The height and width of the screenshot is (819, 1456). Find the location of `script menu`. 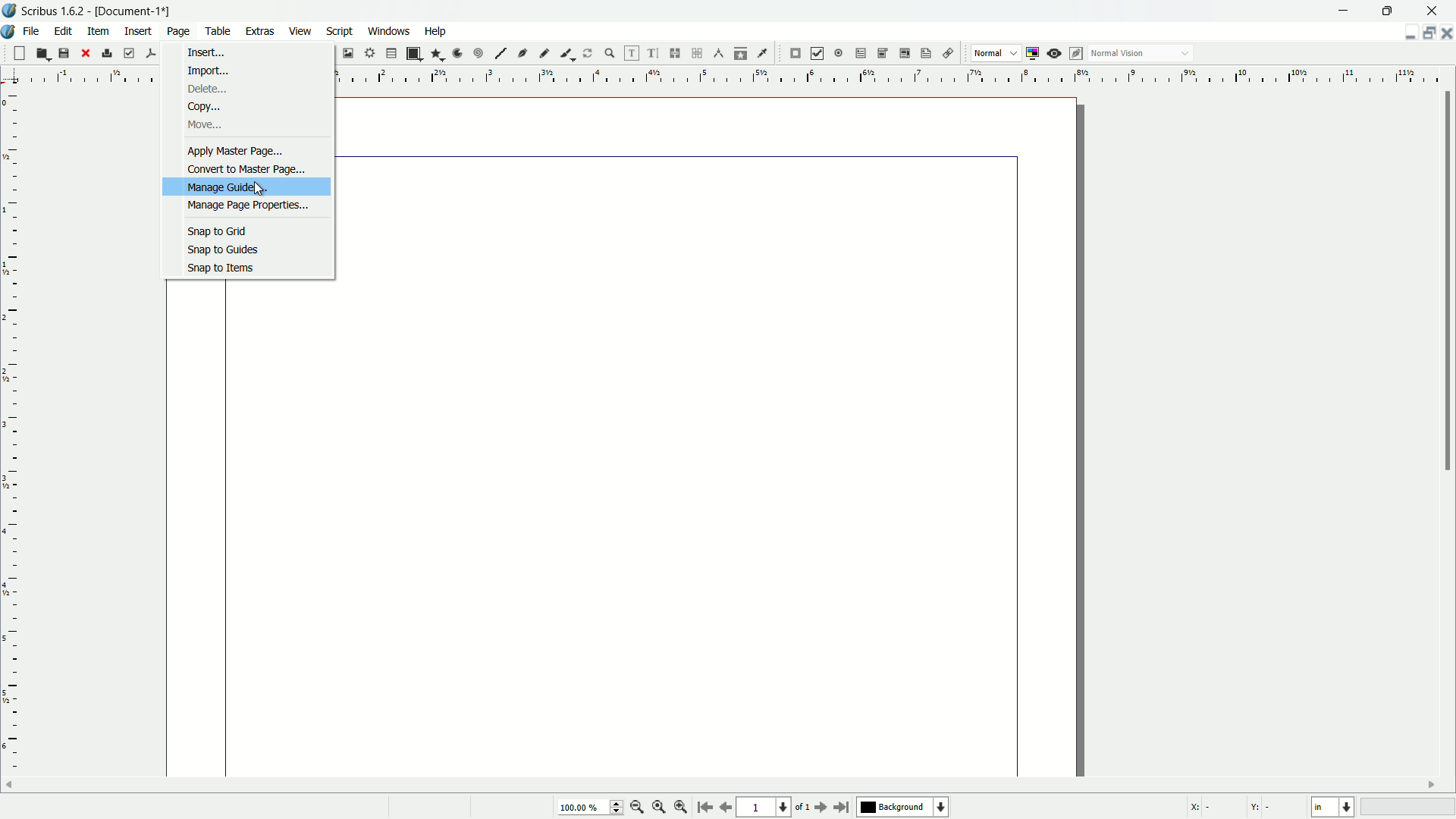

script menu is located at coordinates (341, 31).